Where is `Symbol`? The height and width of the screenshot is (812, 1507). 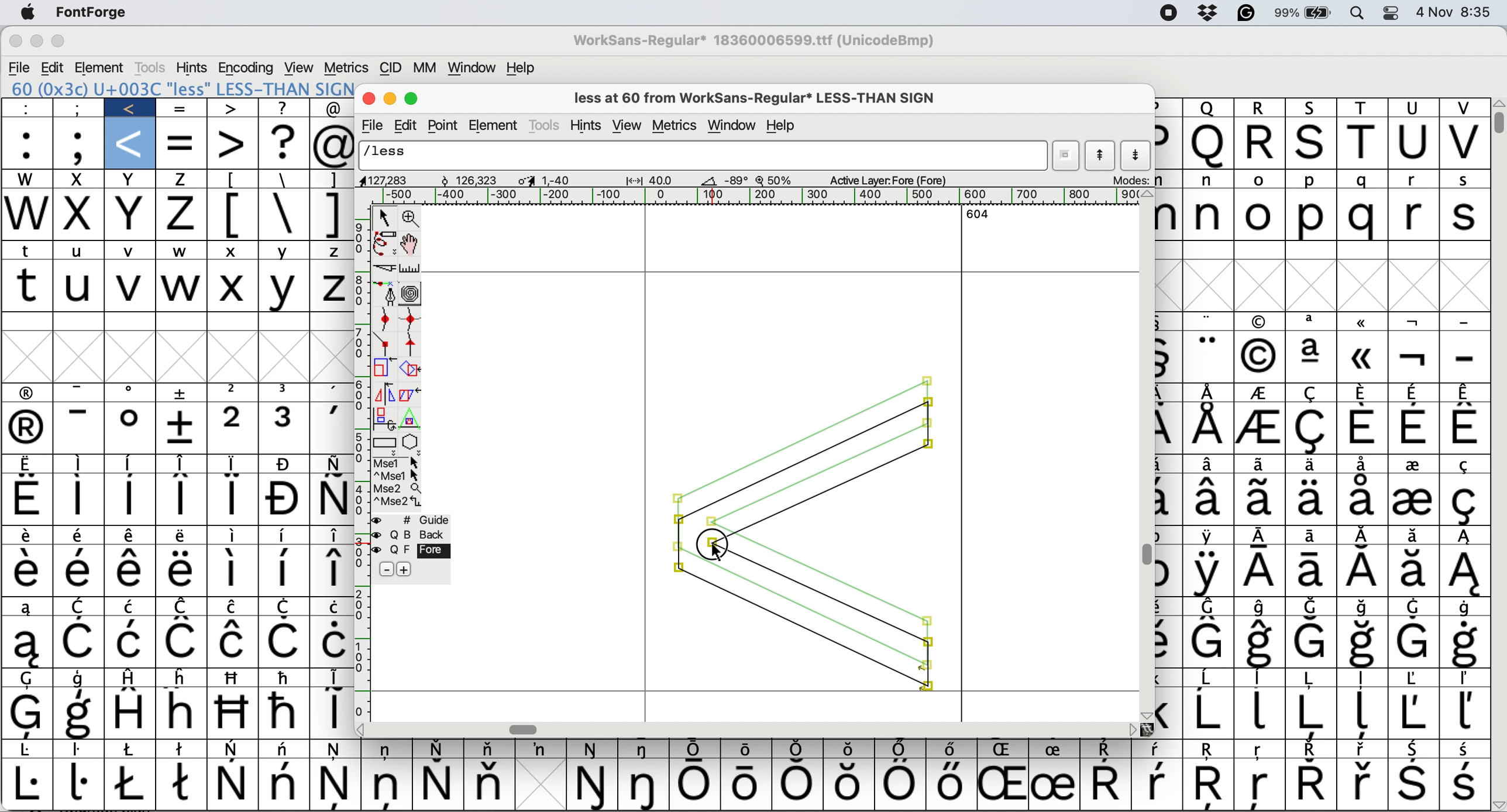
Symbol is located at coordinates (1416, 535).